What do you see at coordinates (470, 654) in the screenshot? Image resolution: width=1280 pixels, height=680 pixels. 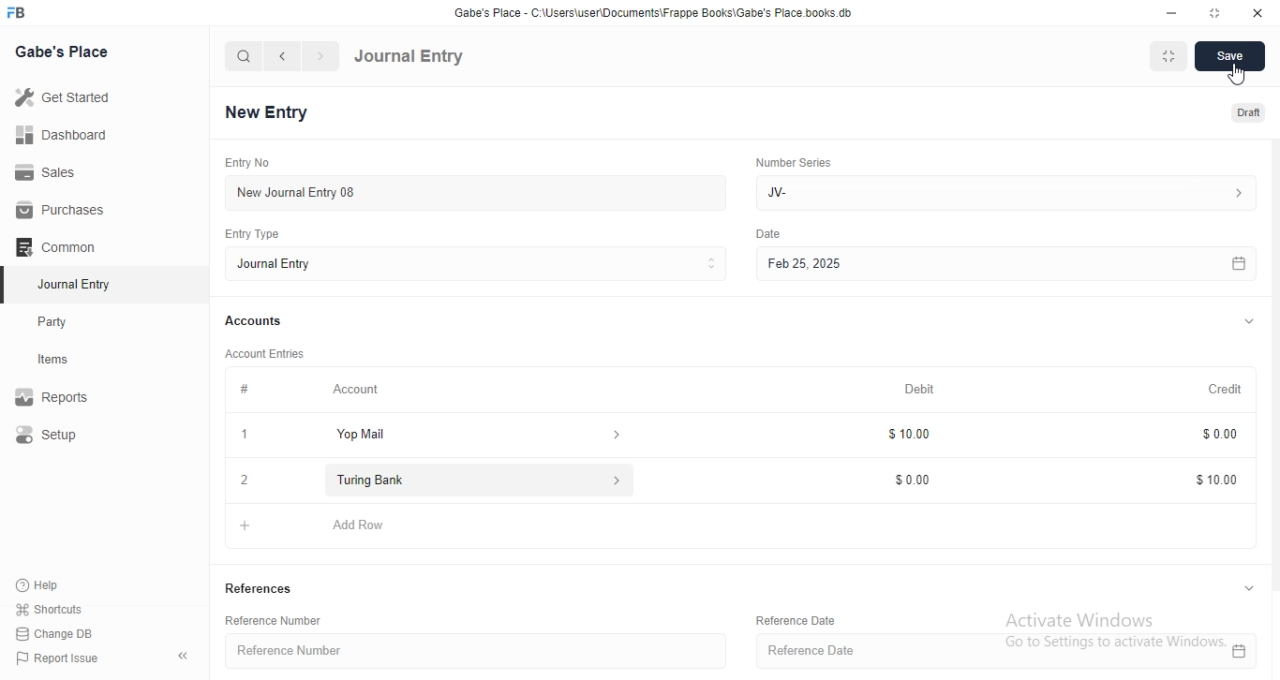 I see `Reference Number` at bounding box center [470, 654].